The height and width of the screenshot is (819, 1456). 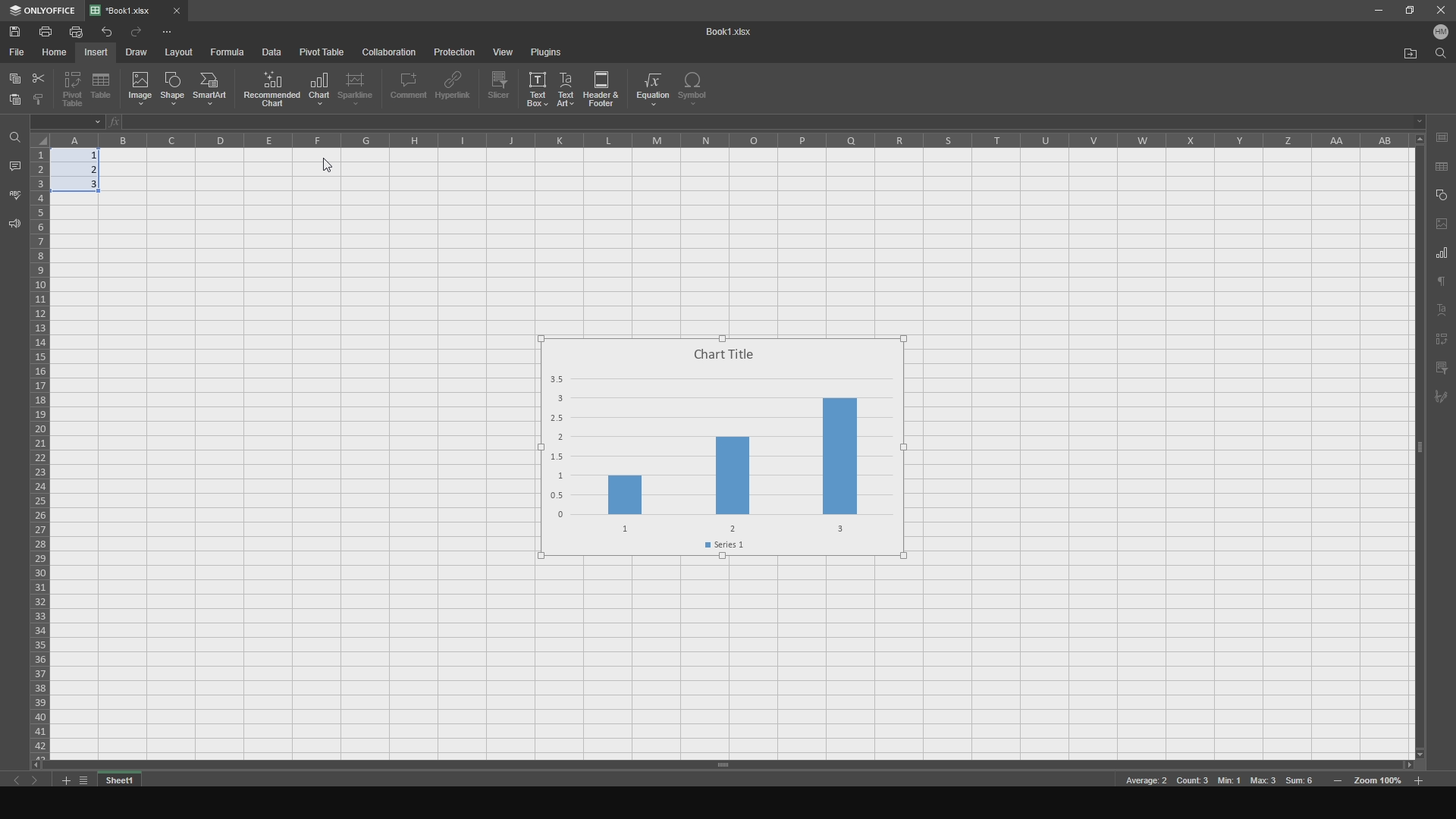 I want to click on recommended chart, so click(x=268, y=91).